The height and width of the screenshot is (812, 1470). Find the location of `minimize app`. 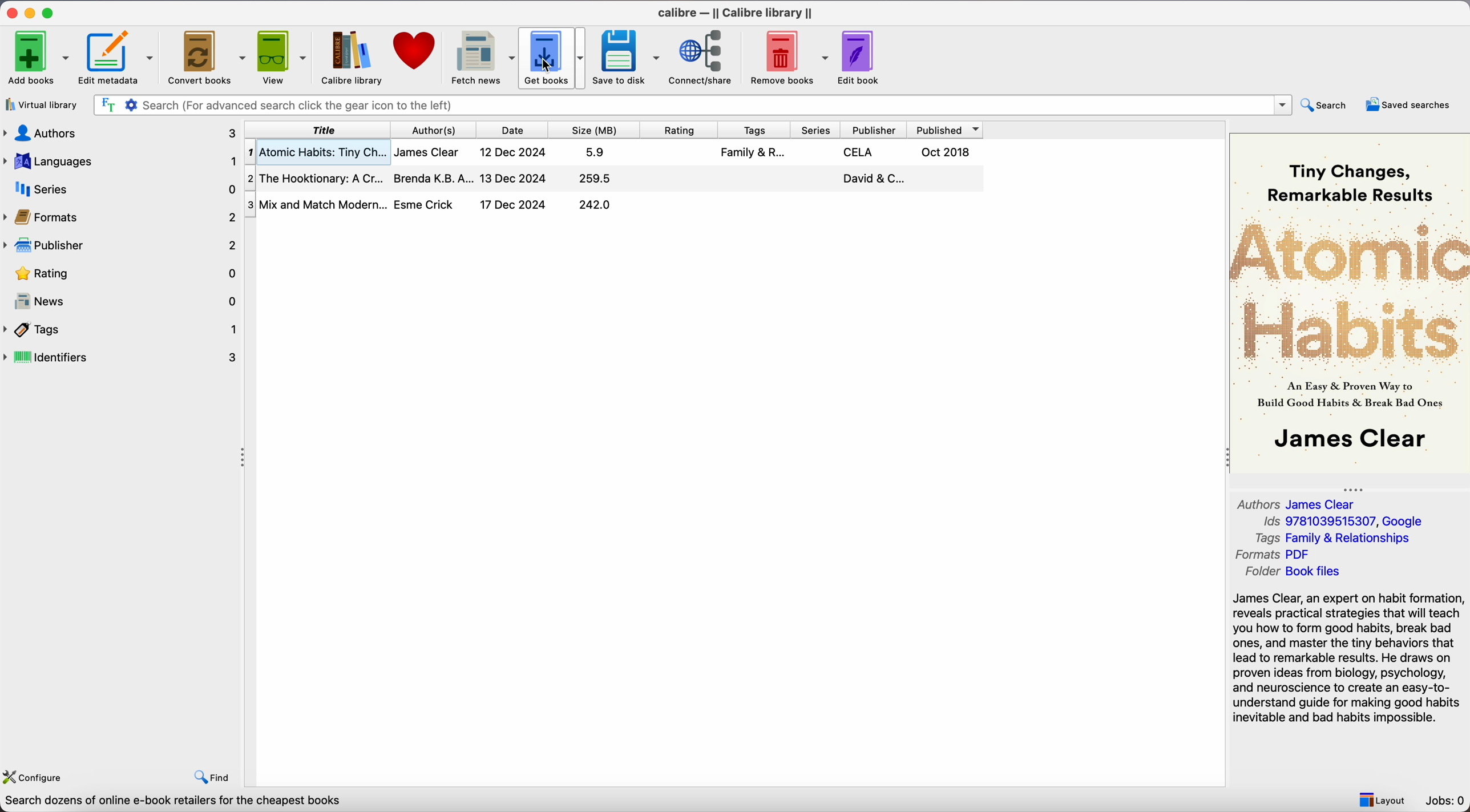

minimize app is located at coordinates (32, 11).